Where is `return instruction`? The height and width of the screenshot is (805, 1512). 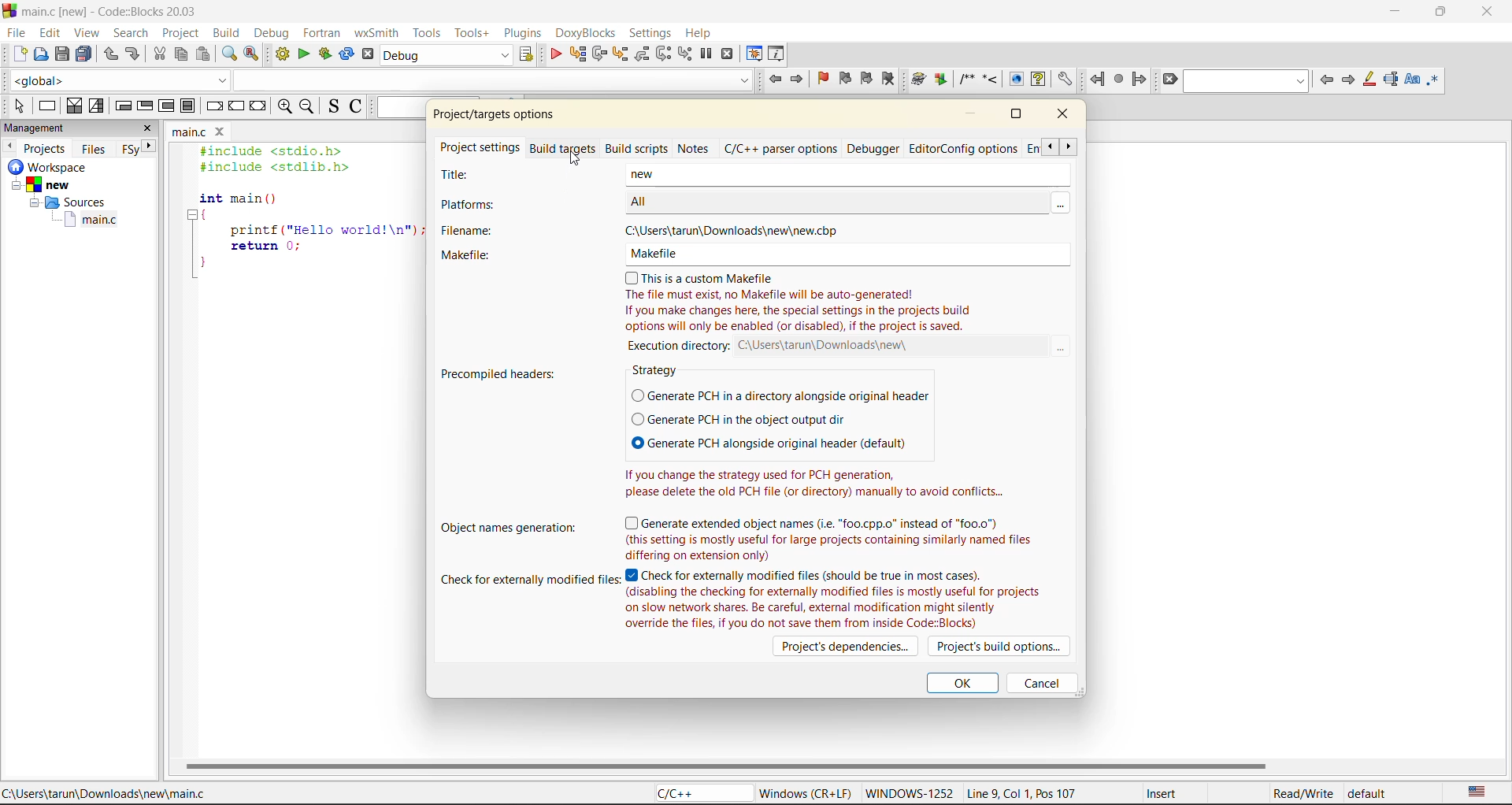
return instruction is located at coordinates (258, 107).